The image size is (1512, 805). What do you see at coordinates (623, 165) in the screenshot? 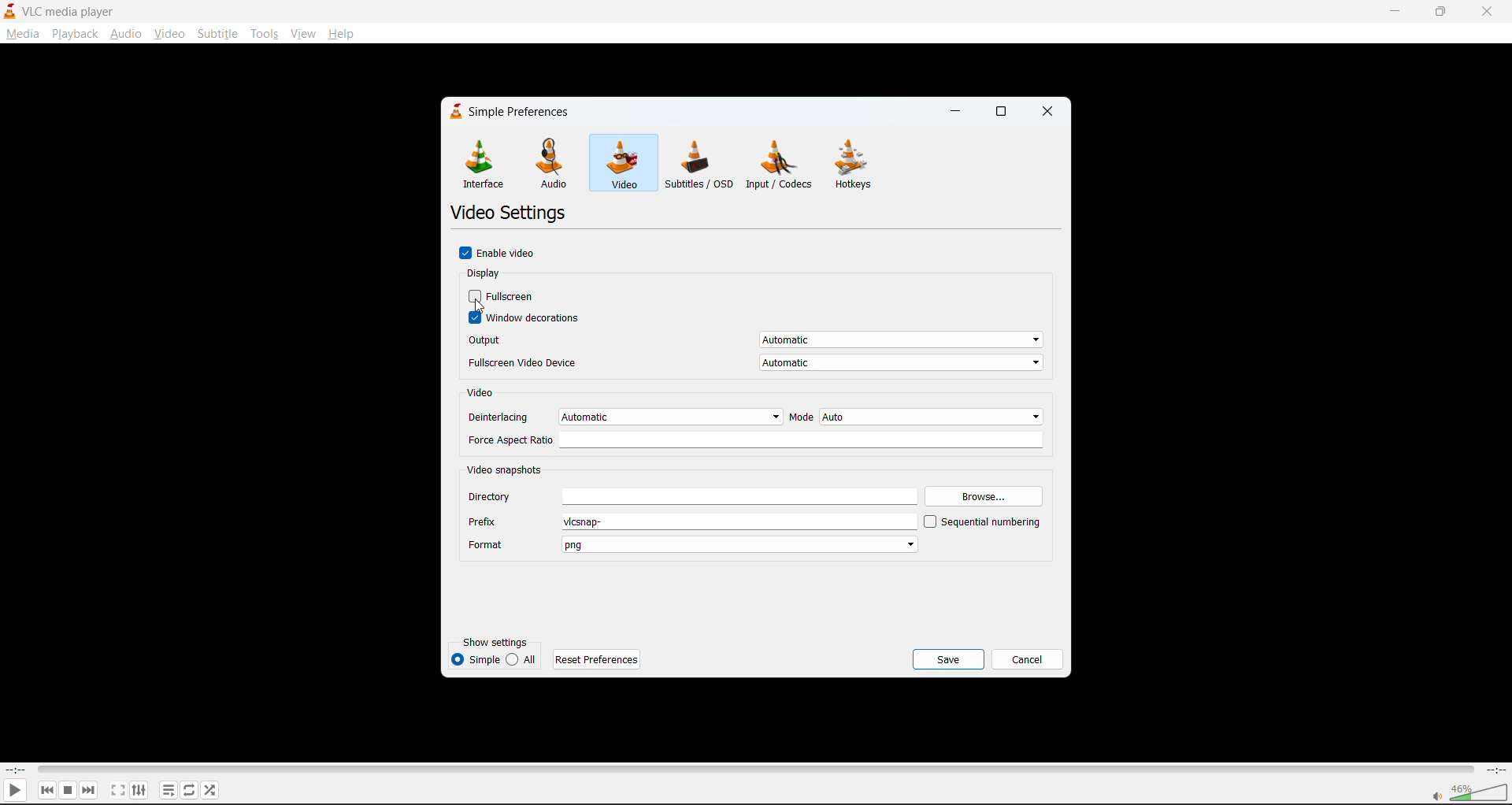
I see `video` at bounding box center [623, 165].